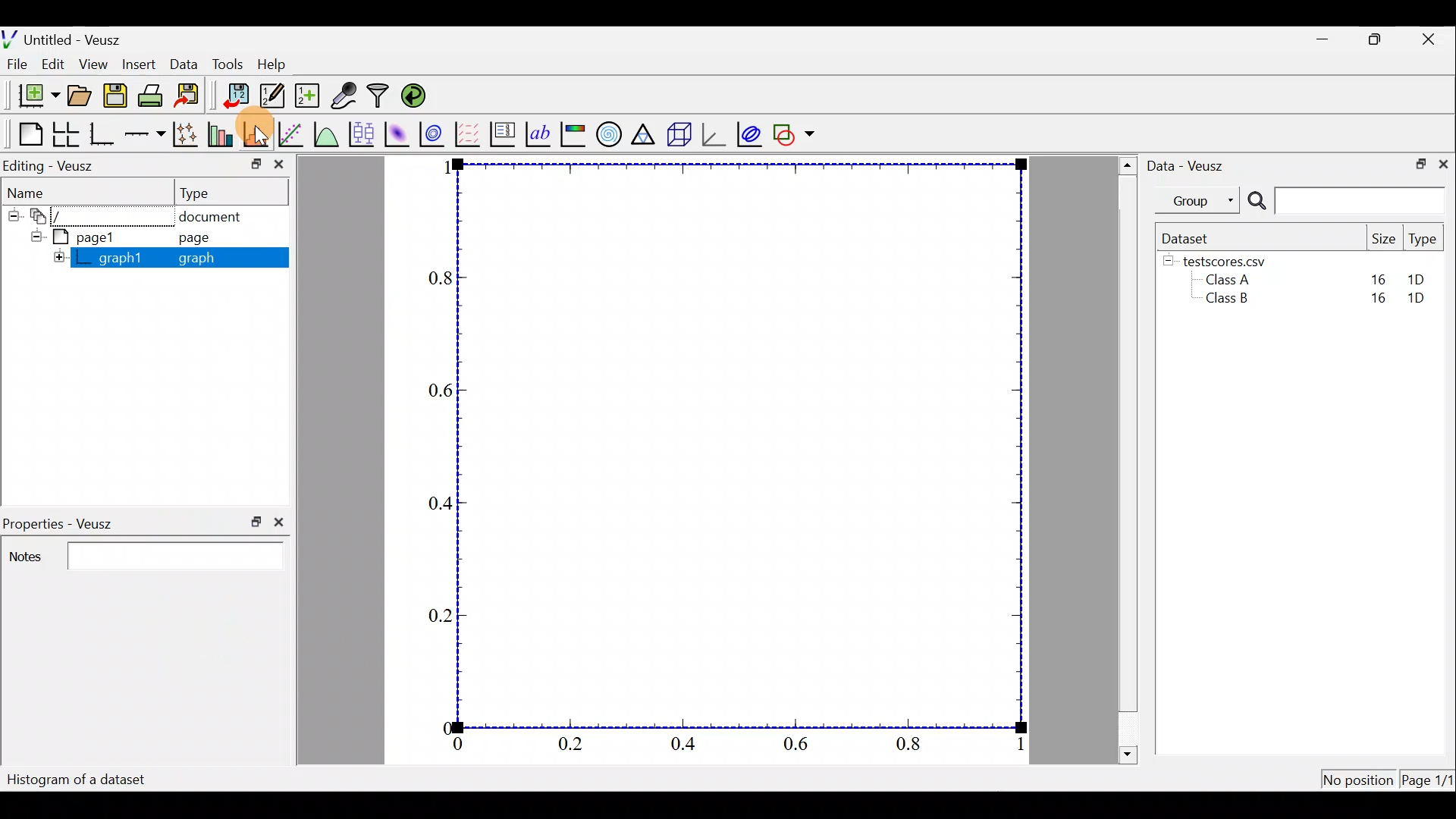 The image size is (1456, 819). What do you see at coordinates (143, 554) in the screenshot?
I see `Notes` at bounding box center [143, 554].